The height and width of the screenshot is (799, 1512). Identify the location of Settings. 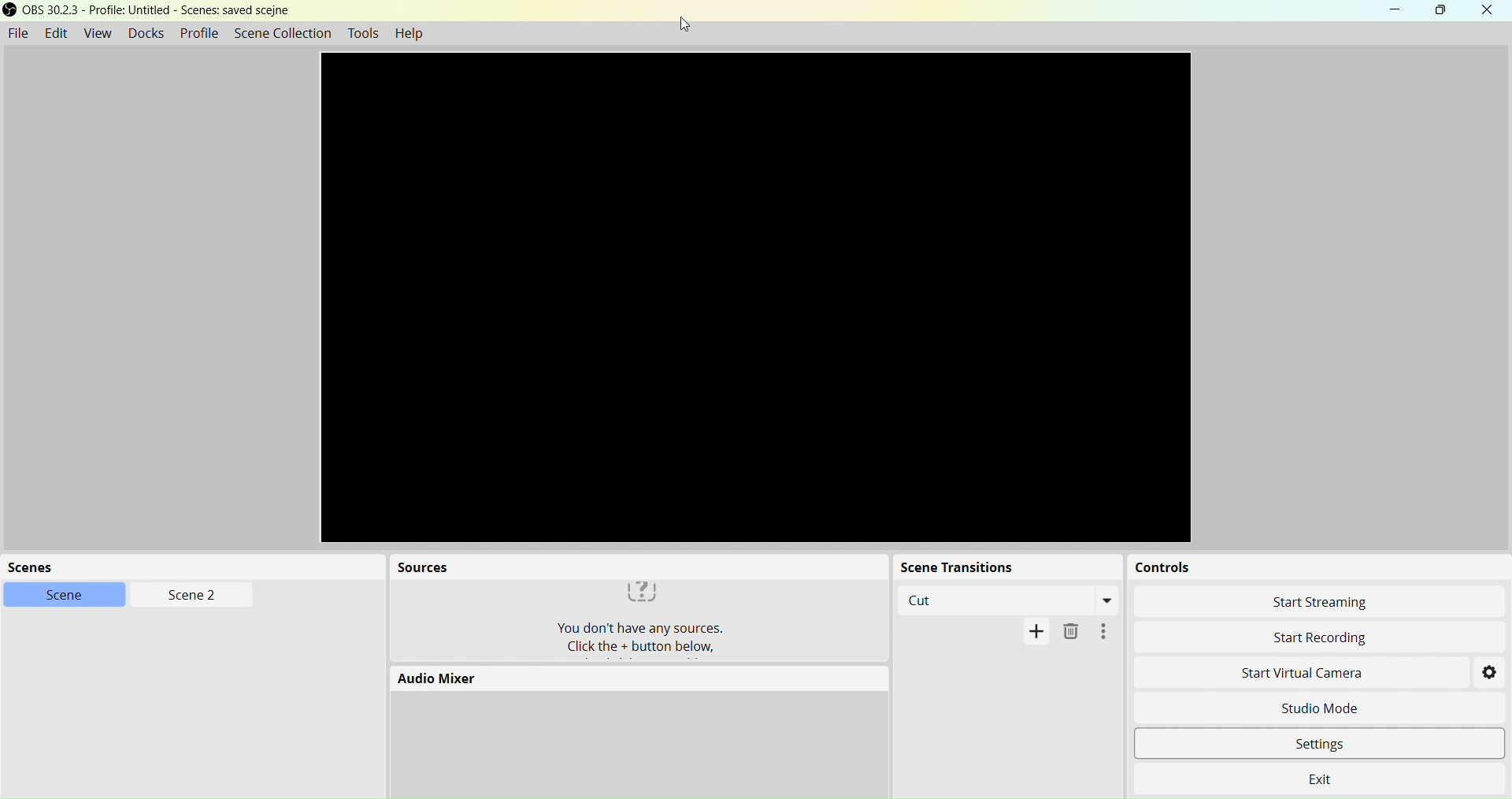
(1491, 673).